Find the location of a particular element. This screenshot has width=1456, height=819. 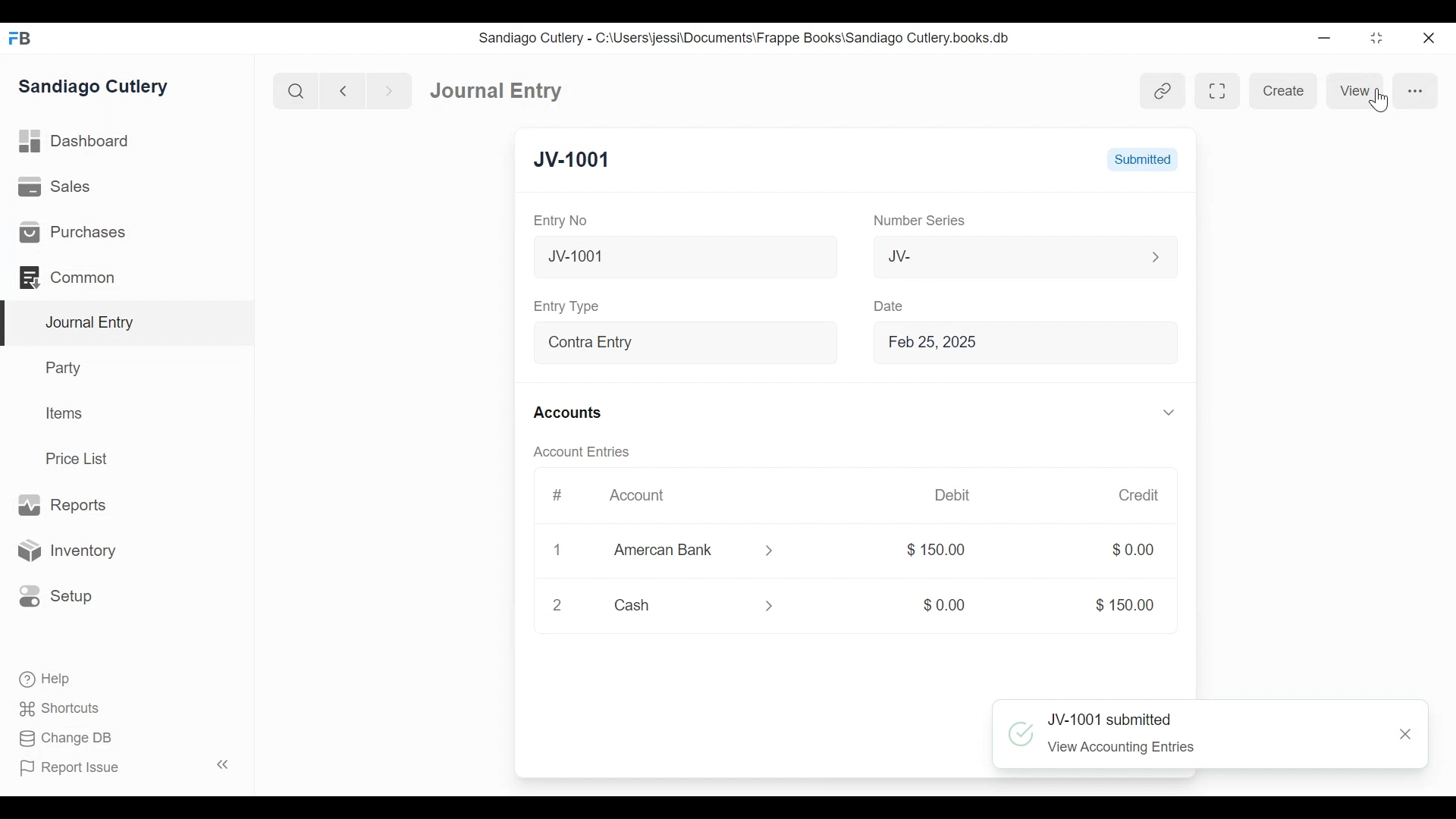

Entry No is located at coordinates (561, 221).